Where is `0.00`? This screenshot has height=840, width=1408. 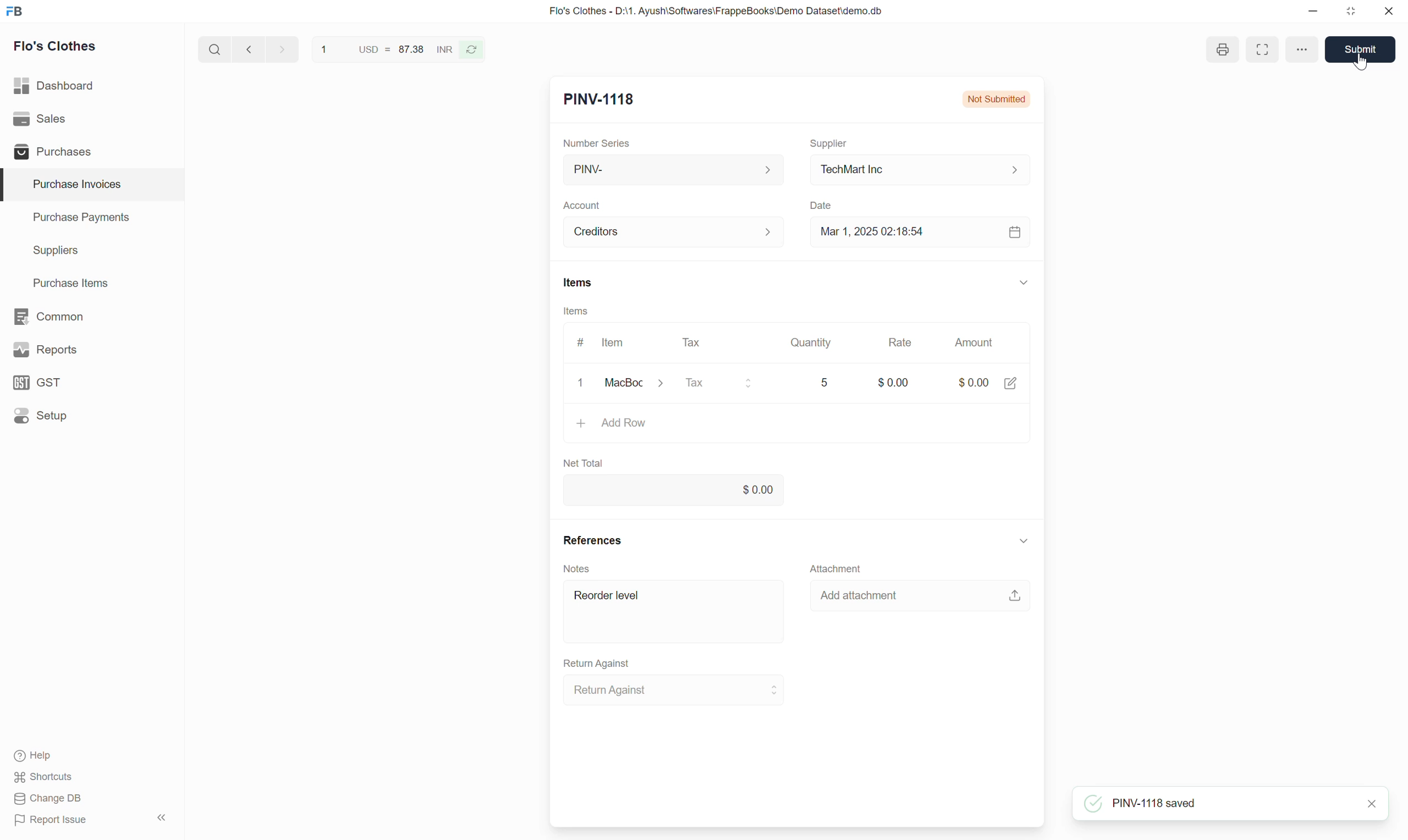 0.00 is located at coordinates (674, 489).